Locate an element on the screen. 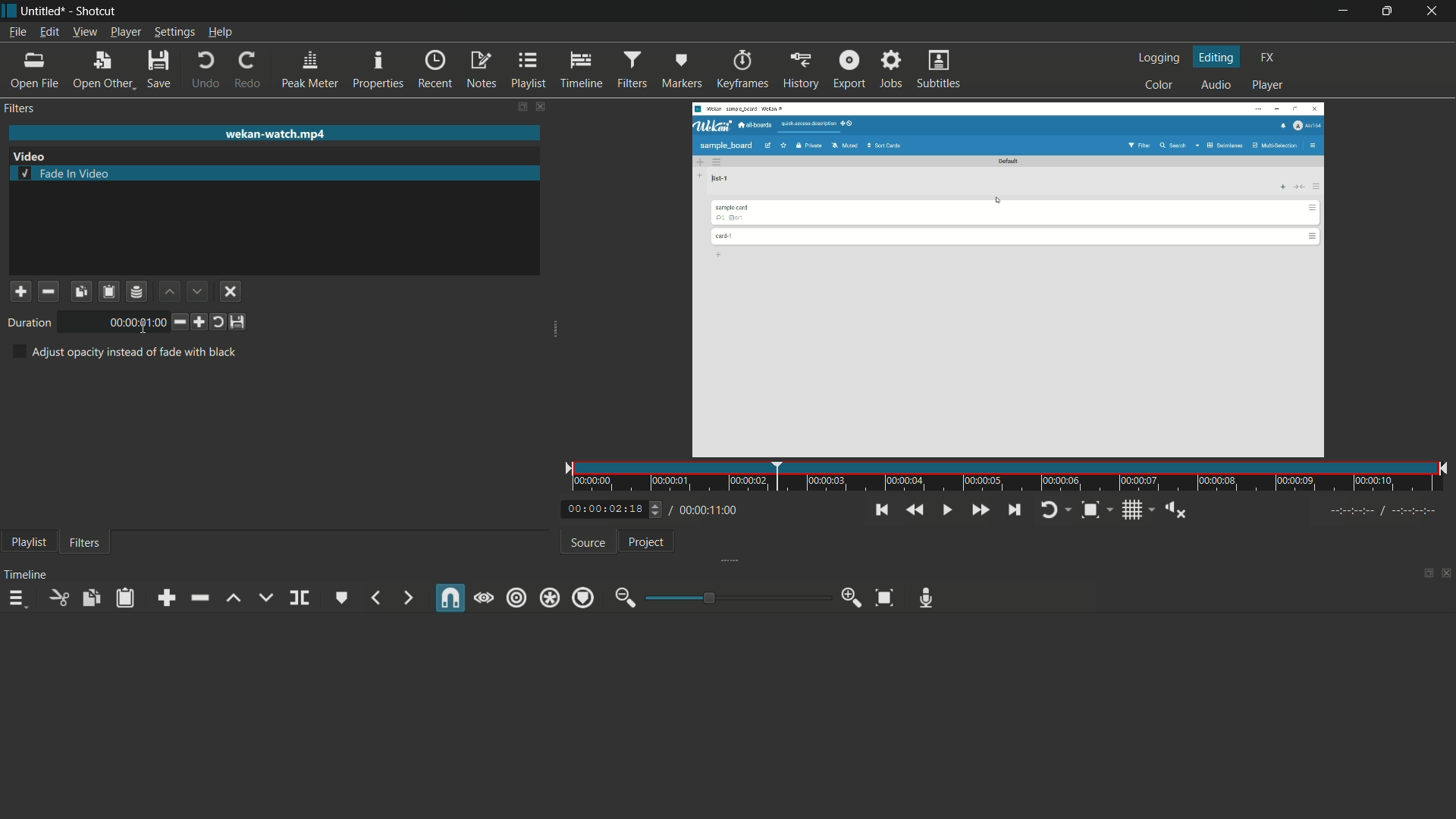 This screenshot has height=819, width=1456. / is located at coordinates (669, 507).